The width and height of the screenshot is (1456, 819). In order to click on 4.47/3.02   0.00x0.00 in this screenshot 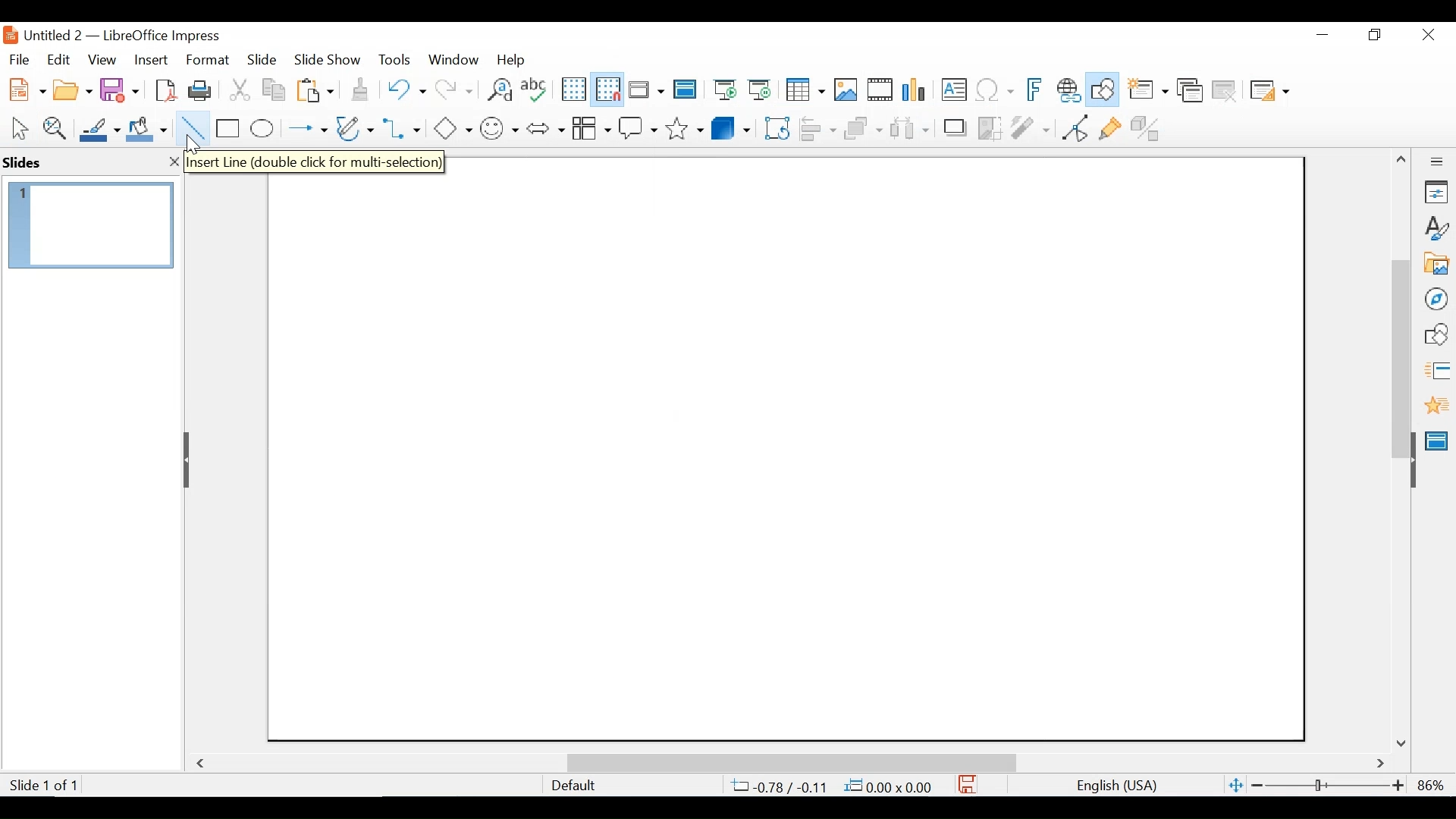, I will do `click(838, 786)`.